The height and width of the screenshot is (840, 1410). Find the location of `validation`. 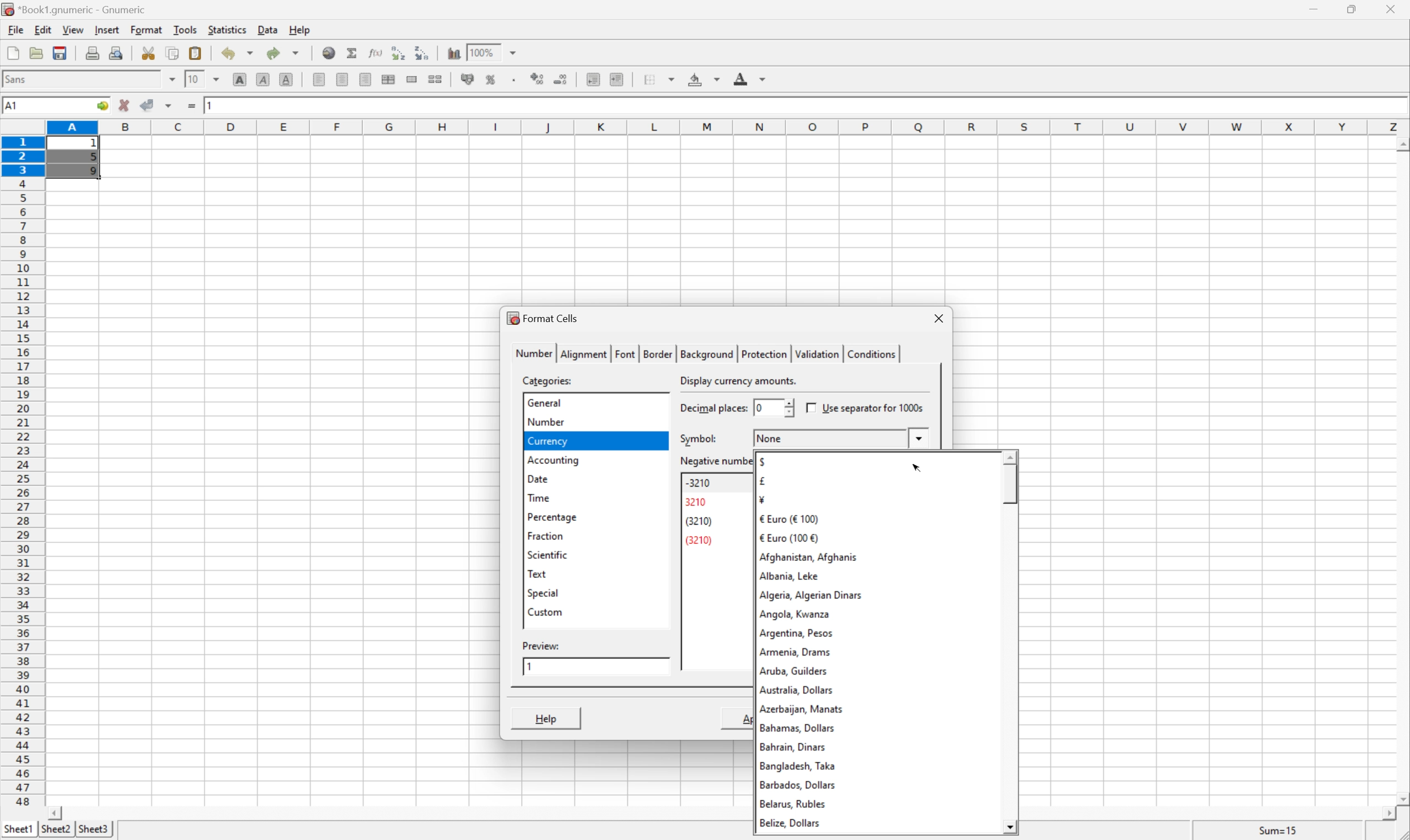

validation is located at coordinates (815, 354).